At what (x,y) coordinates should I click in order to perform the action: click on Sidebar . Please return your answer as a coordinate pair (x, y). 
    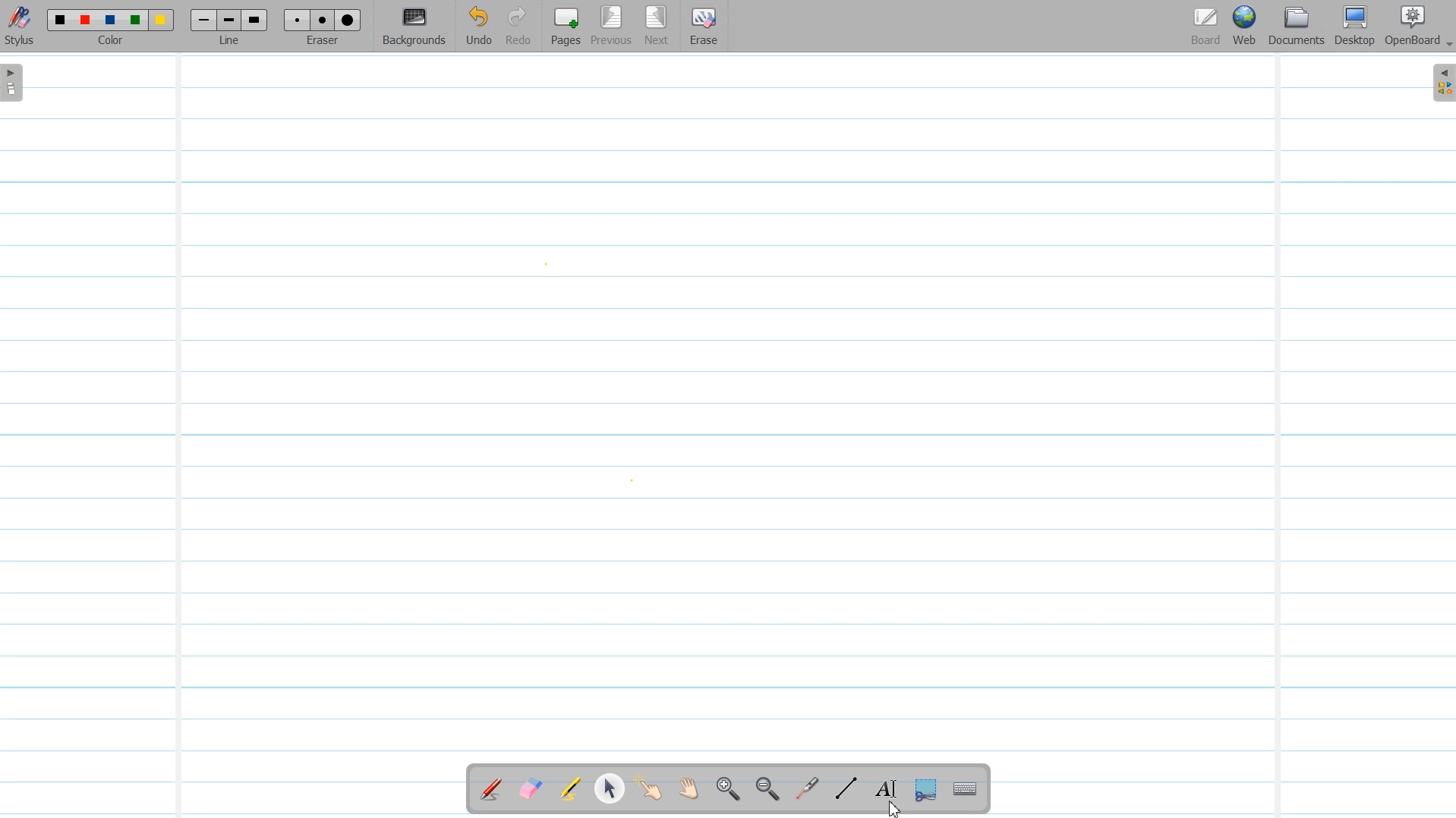
    Looking at the image, I should click on (1441, 83).